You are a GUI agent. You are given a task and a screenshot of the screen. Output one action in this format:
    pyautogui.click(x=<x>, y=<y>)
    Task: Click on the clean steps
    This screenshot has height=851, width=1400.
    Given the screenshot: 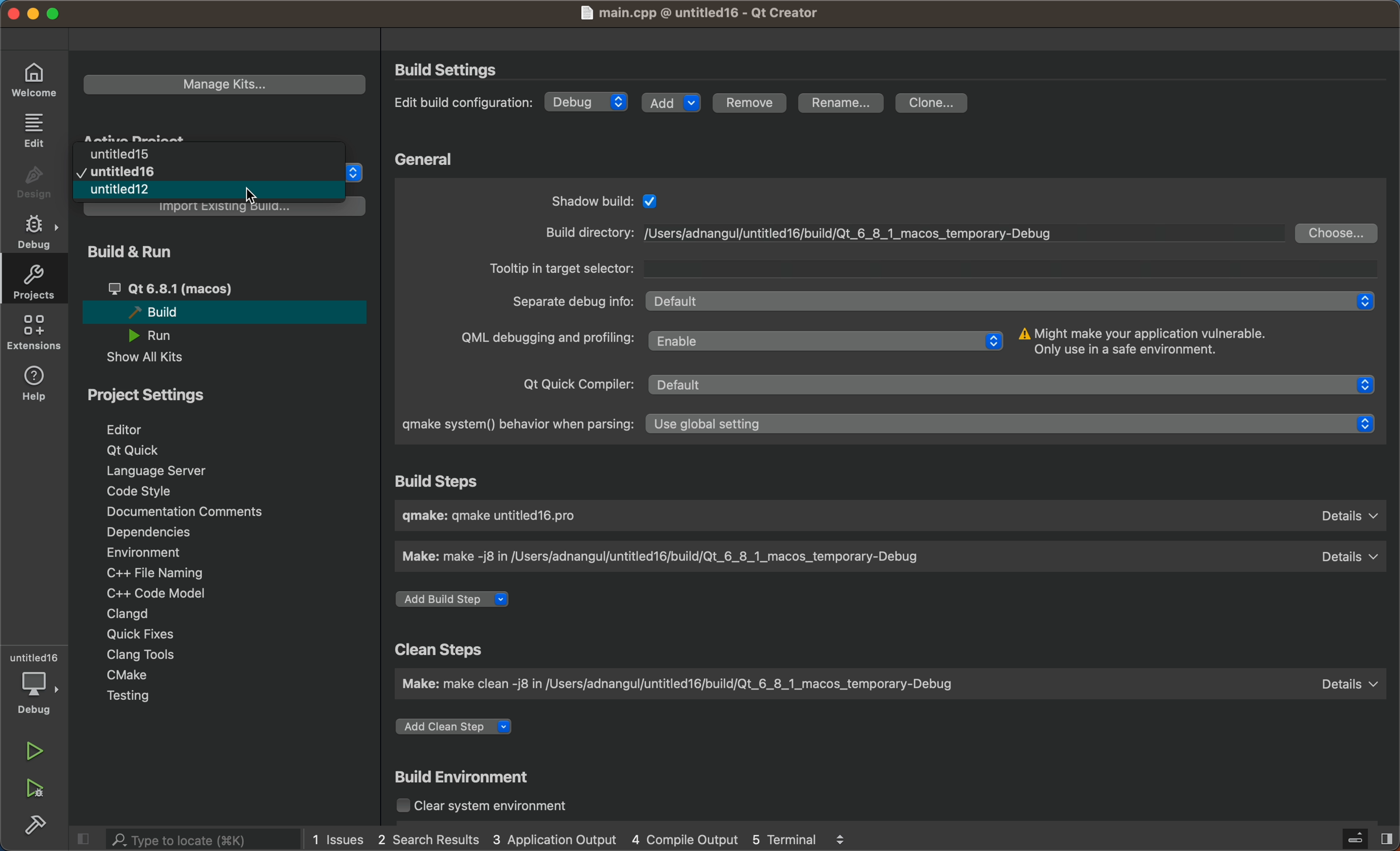 What is the action you would take?
    pyautogui.click(x=883, y=684)
    